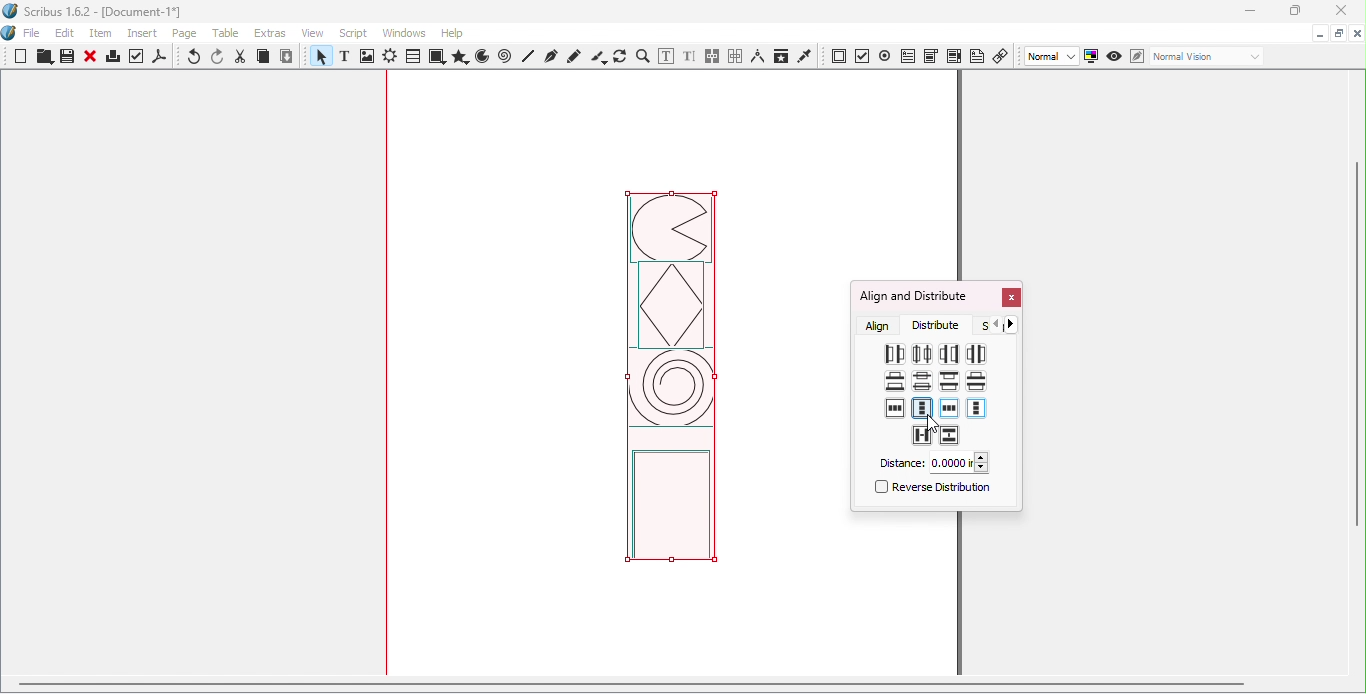  I want to click on Go back, so click(996, 325).